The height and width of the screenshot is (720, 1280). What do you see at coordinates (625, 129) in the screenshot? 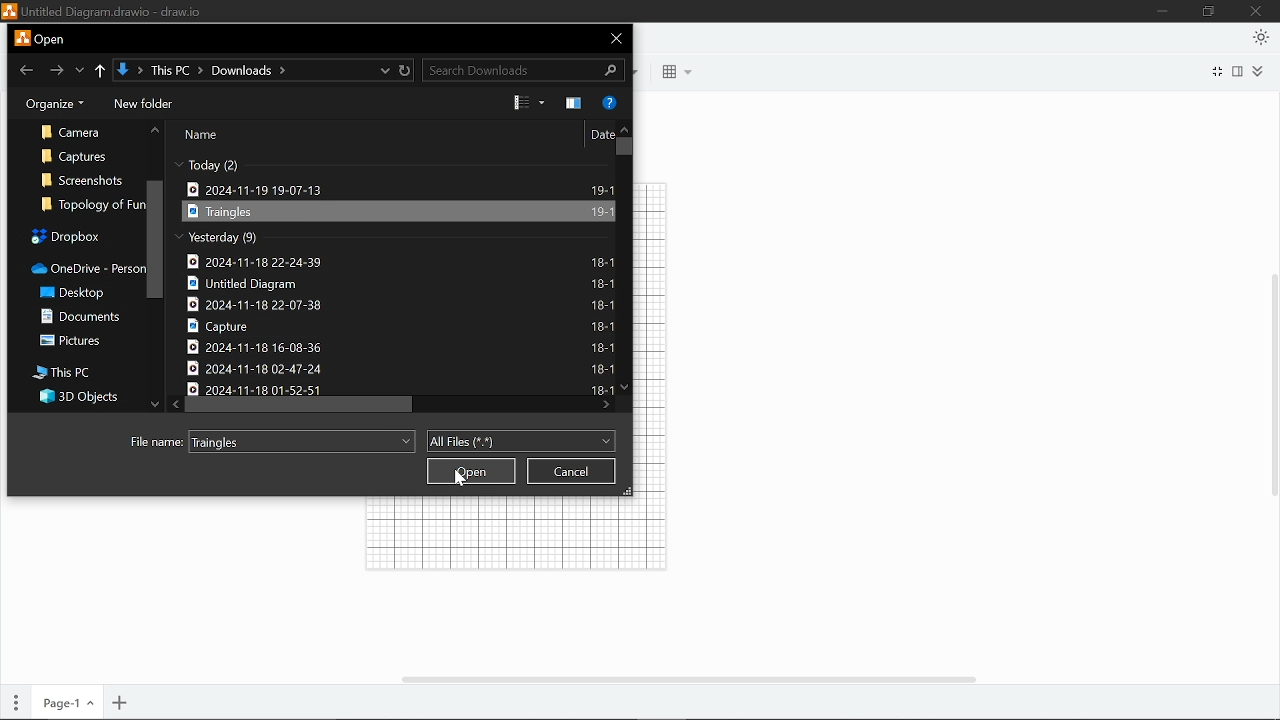
I see `Move up in files` at bounding box center [625, 129].